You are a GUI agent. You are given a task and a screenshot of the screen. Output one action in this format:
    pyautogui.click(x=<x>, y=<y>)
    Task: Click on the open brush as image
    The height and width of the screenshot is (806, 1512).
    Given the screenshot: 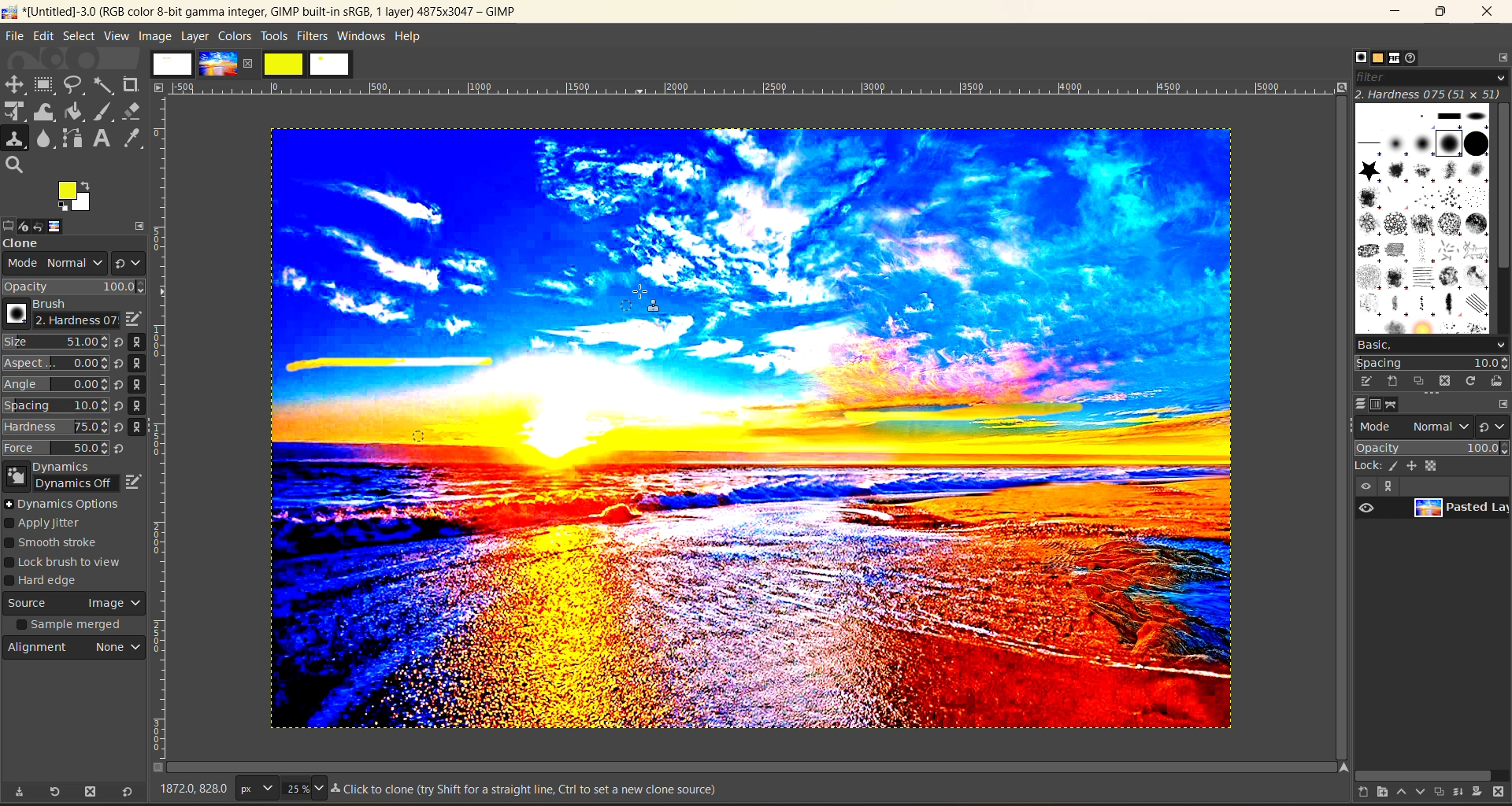 What is the action you would take?
    pyautogui.click(x=1495, y=382)
    